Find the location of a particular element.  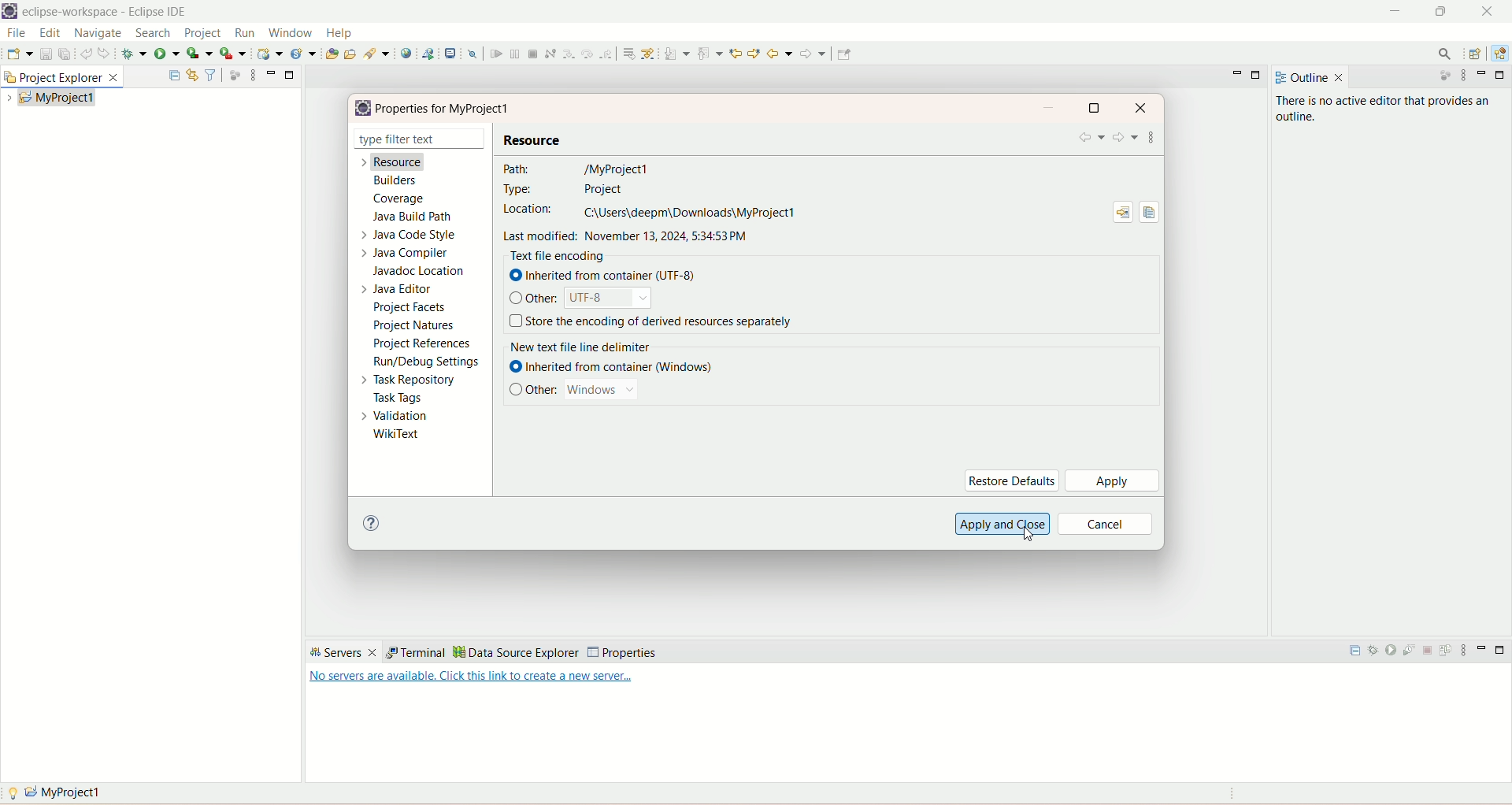

new text file delimiter is located at coordinates (583, 348).